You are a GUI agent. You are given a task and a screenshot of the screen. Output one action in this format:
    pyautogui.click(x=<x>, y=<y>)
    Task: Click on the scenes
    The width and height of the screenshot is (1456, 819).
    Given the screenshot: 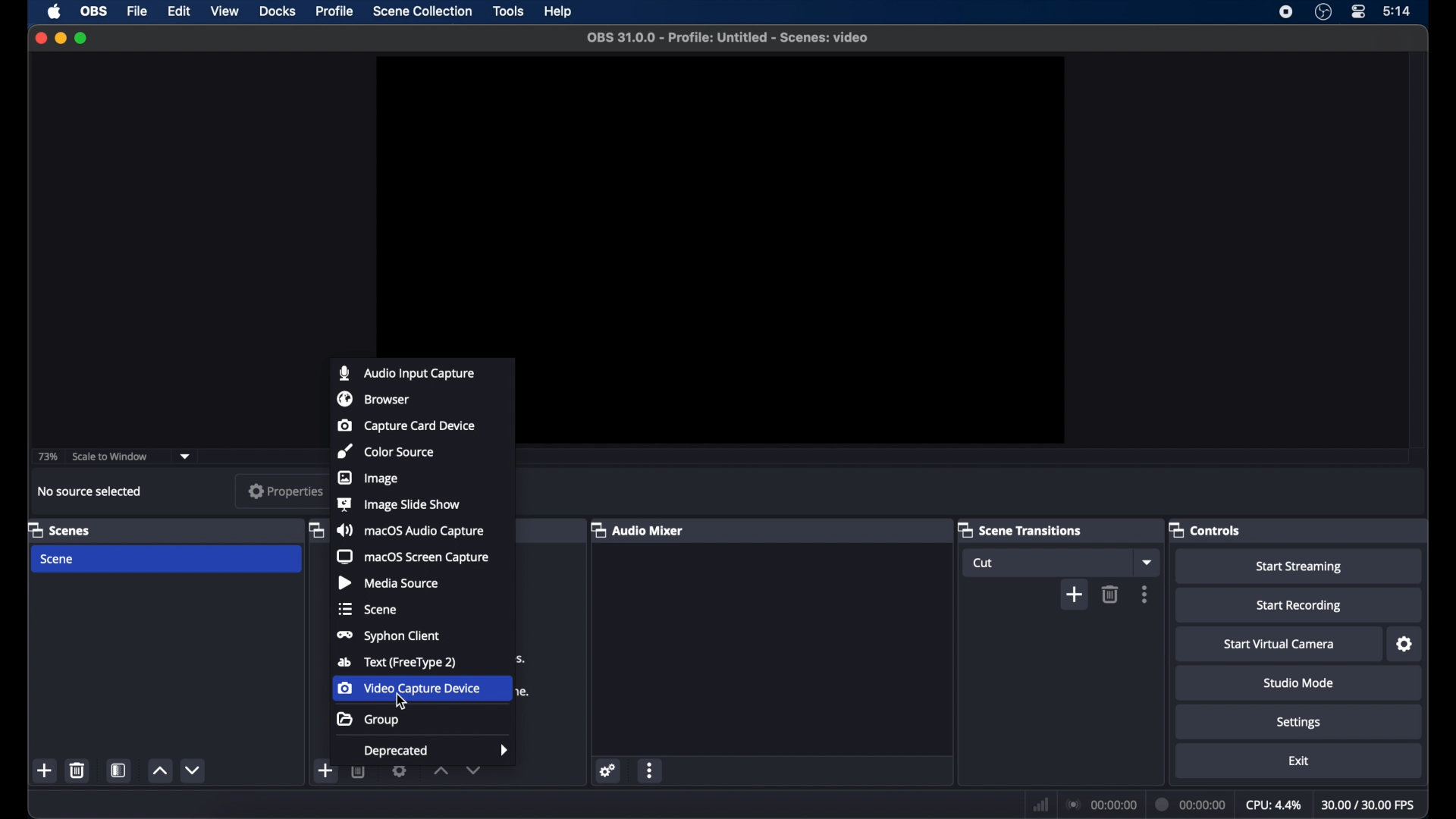 What is the action you would take?
    pyautogui.click(x=58, y=529)
    